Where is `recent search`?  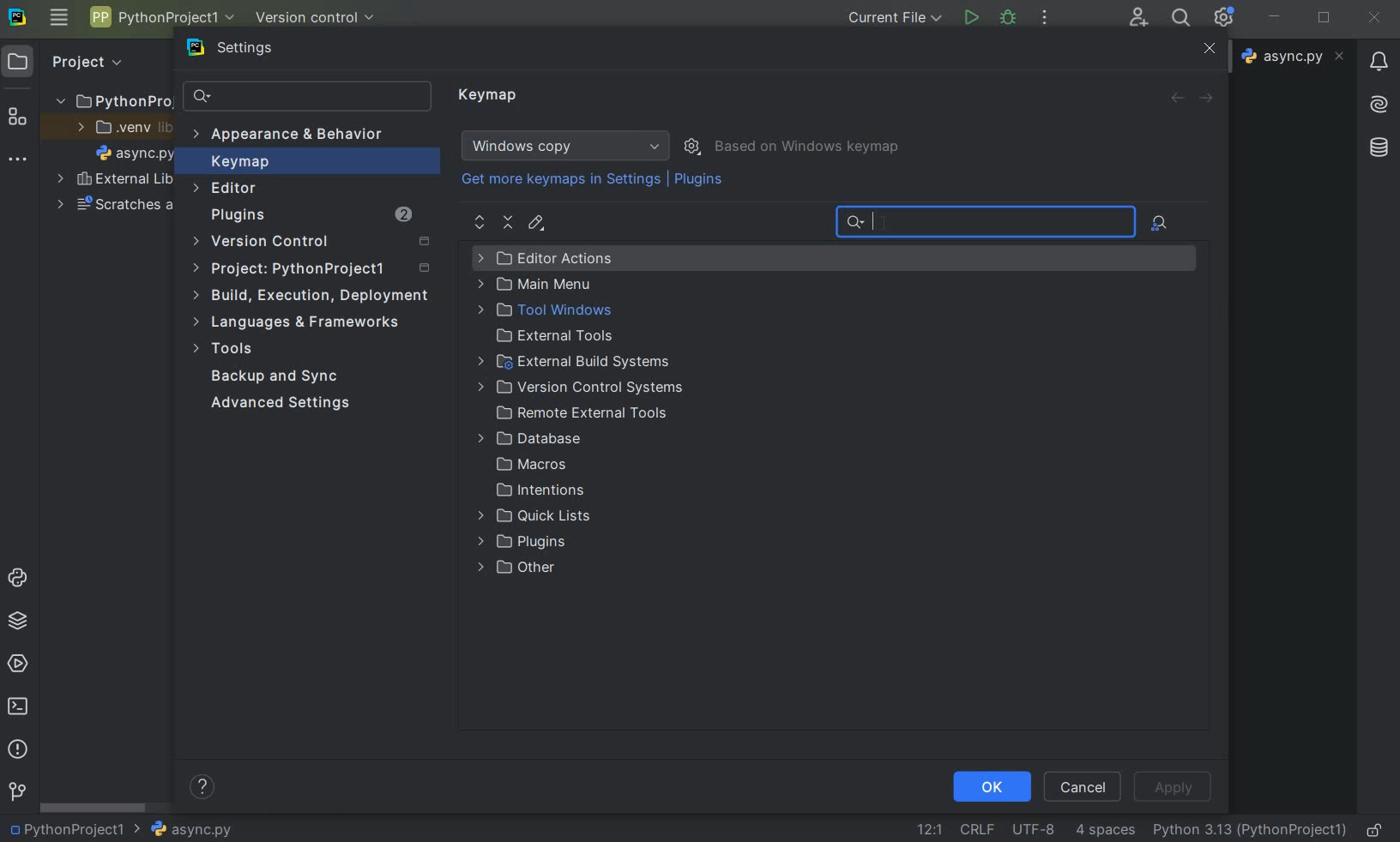
recent search is located at coordinates (982, 223).